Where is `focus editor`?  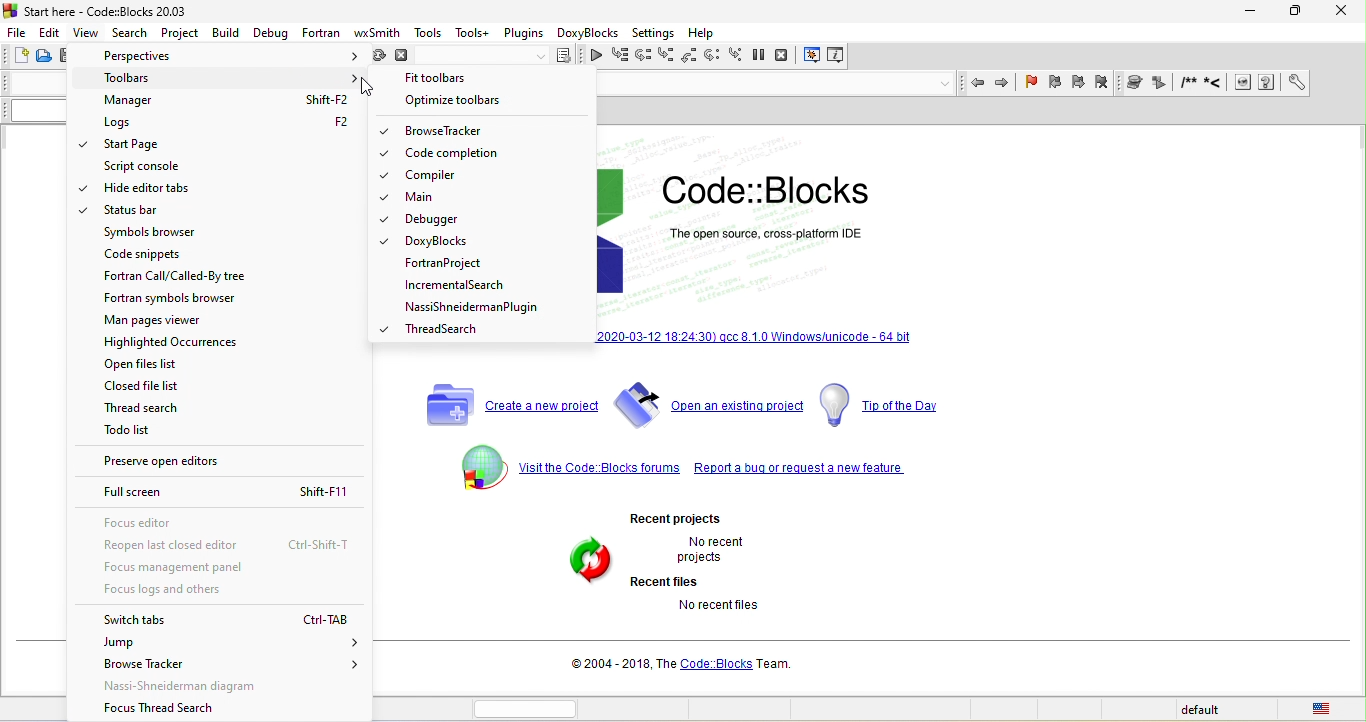 focus editor is located at coordinates (149, 522).